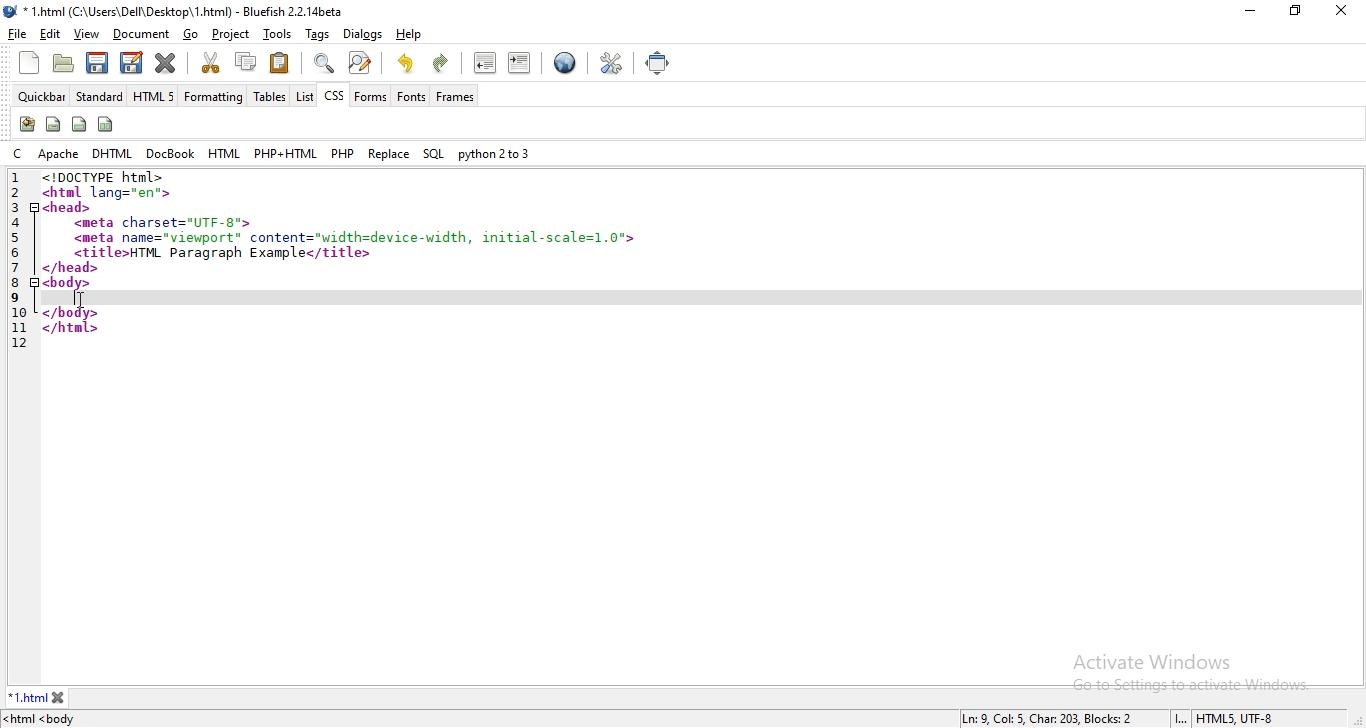 The image size is (1366, 728). I want to click on SQL, so click(434, 154).